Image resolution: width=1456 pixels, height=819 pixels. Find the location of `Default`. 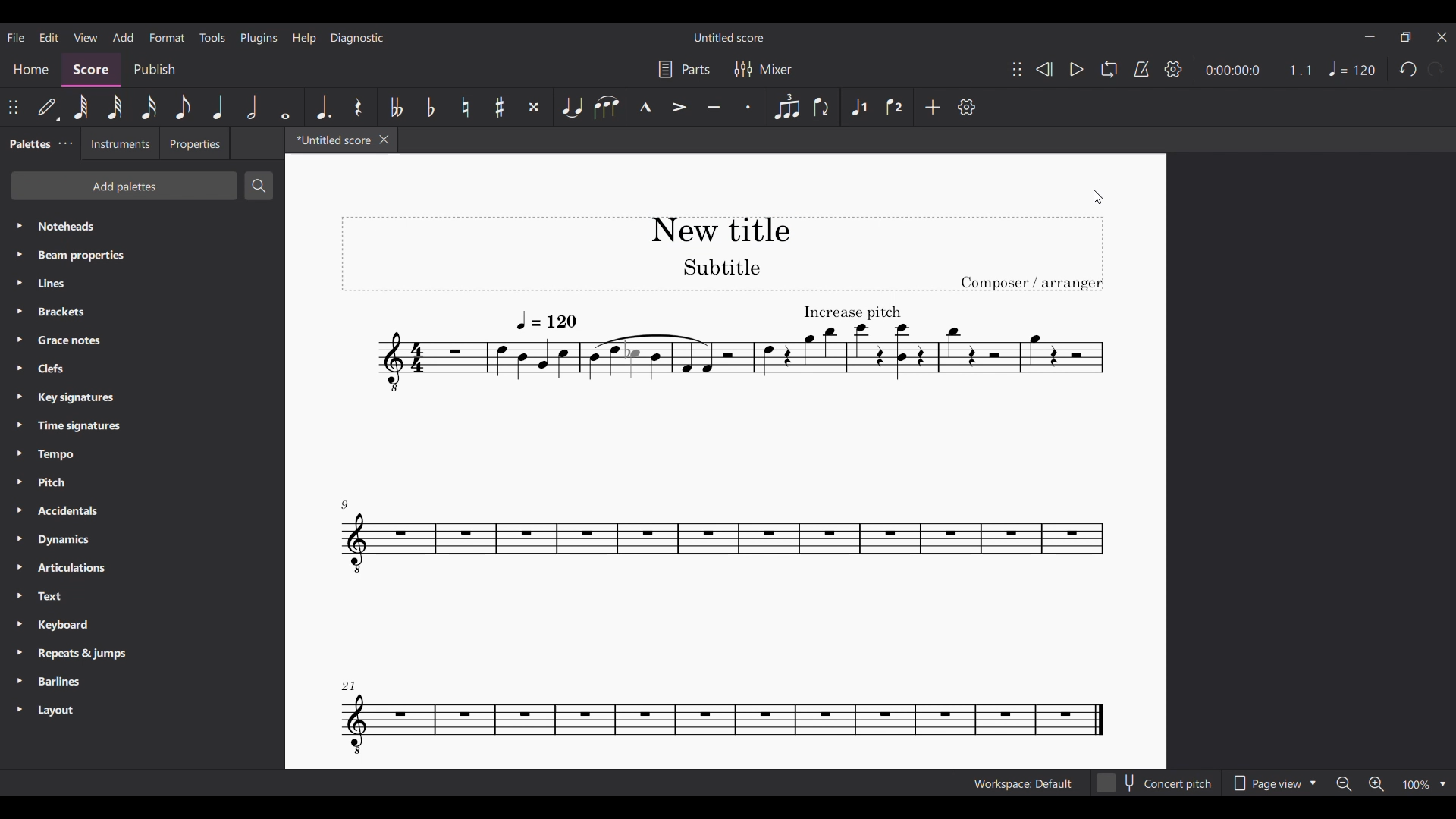

Default is located at coordinates (49, 107).